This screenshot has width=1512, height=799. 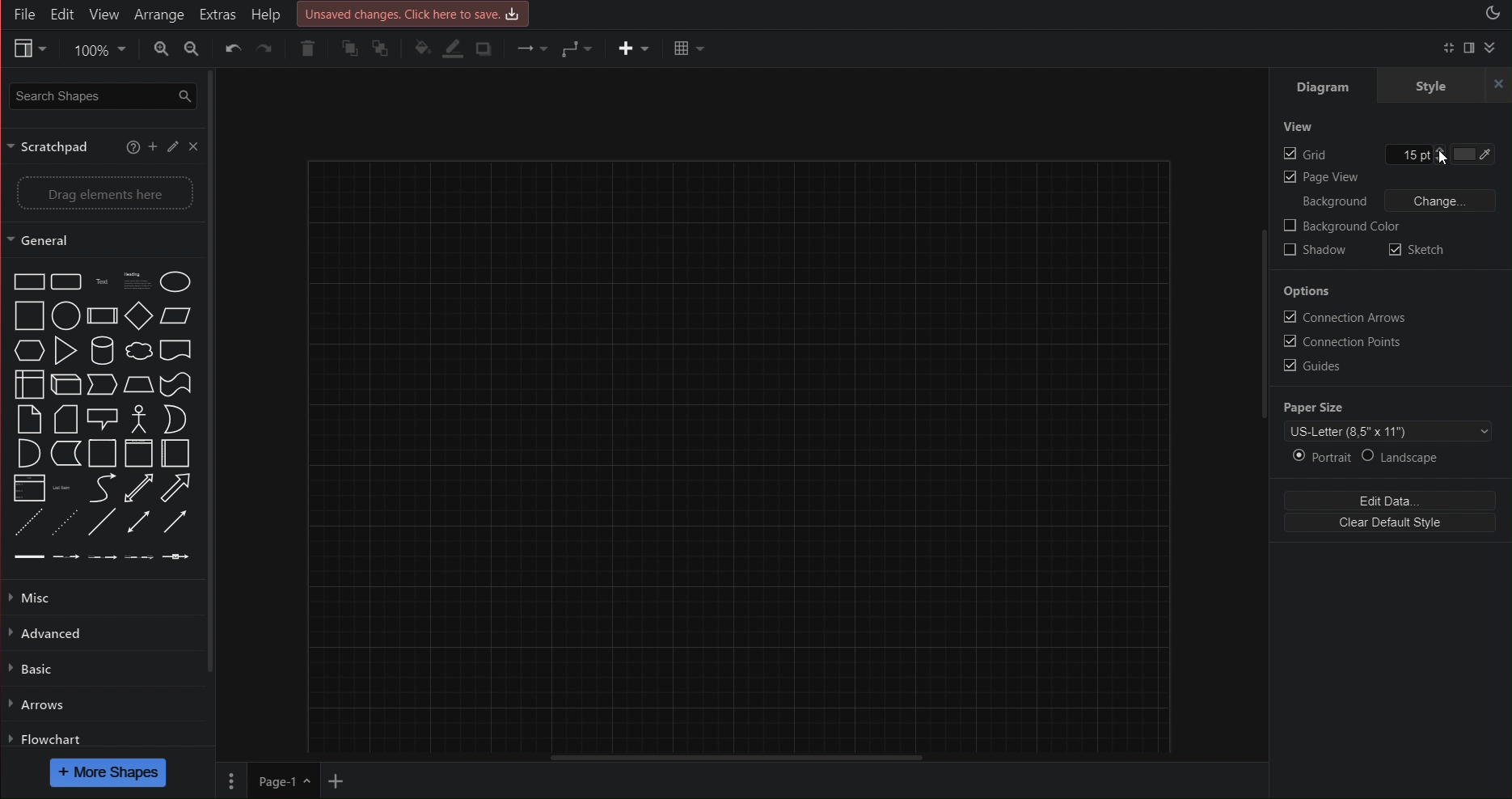 What do you see at coordinates (99, 314) in the screenshot?
I see `Square` at bounding box center [99, 314].